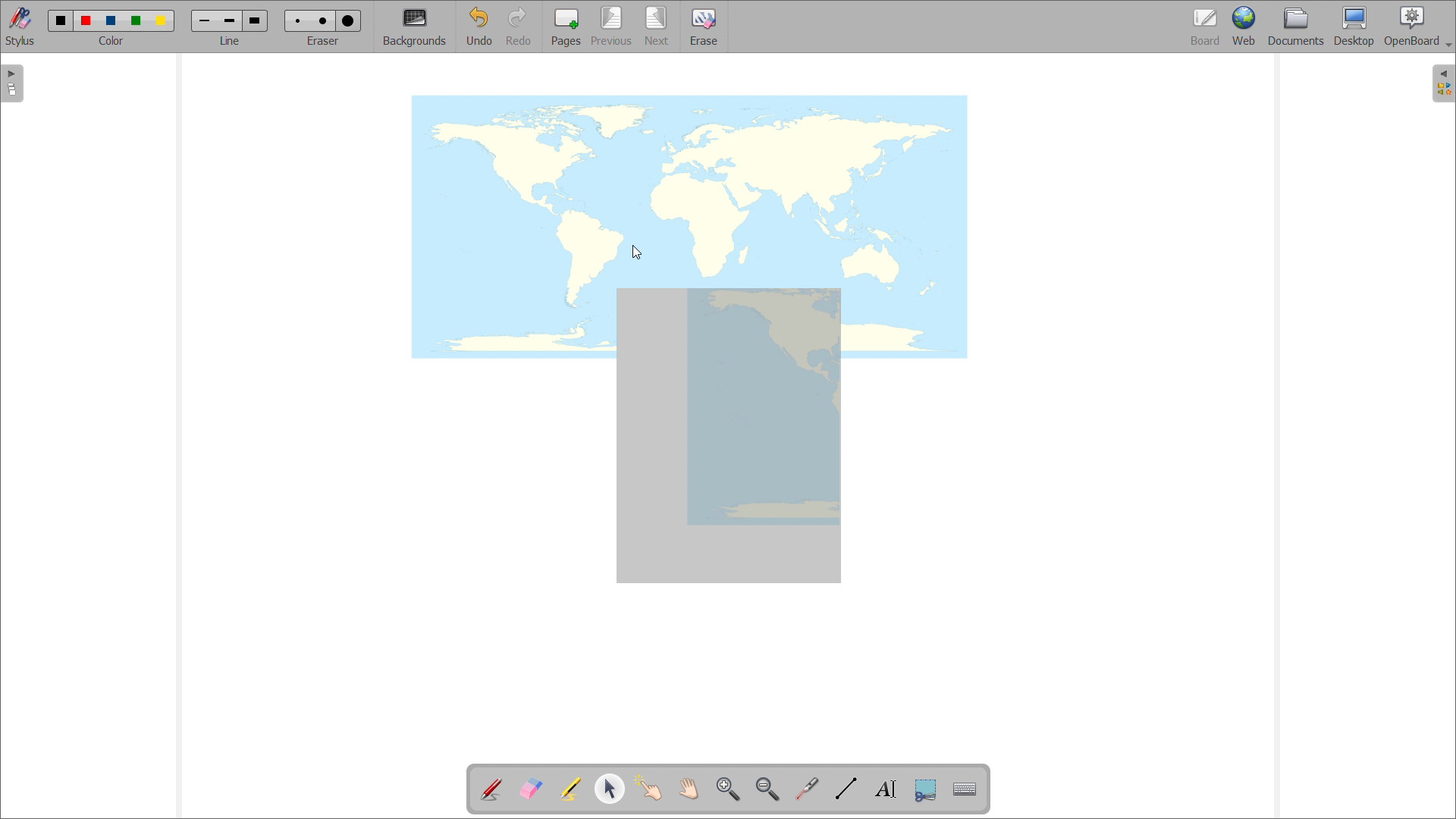 The image size is (1456, 819). What do you see at coordinates (704, 27) in the screenshot?
I see `erase` at bounding box center [704, 27].